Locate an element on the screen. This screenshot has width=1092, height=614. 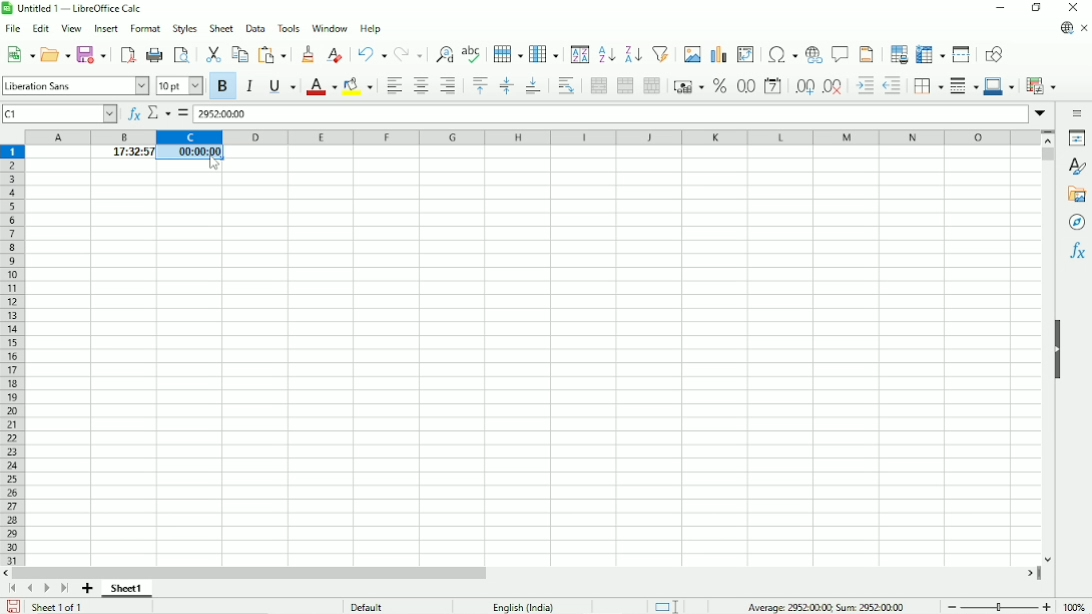
Scroll to previous sheet is located at coordinates (29, 589).